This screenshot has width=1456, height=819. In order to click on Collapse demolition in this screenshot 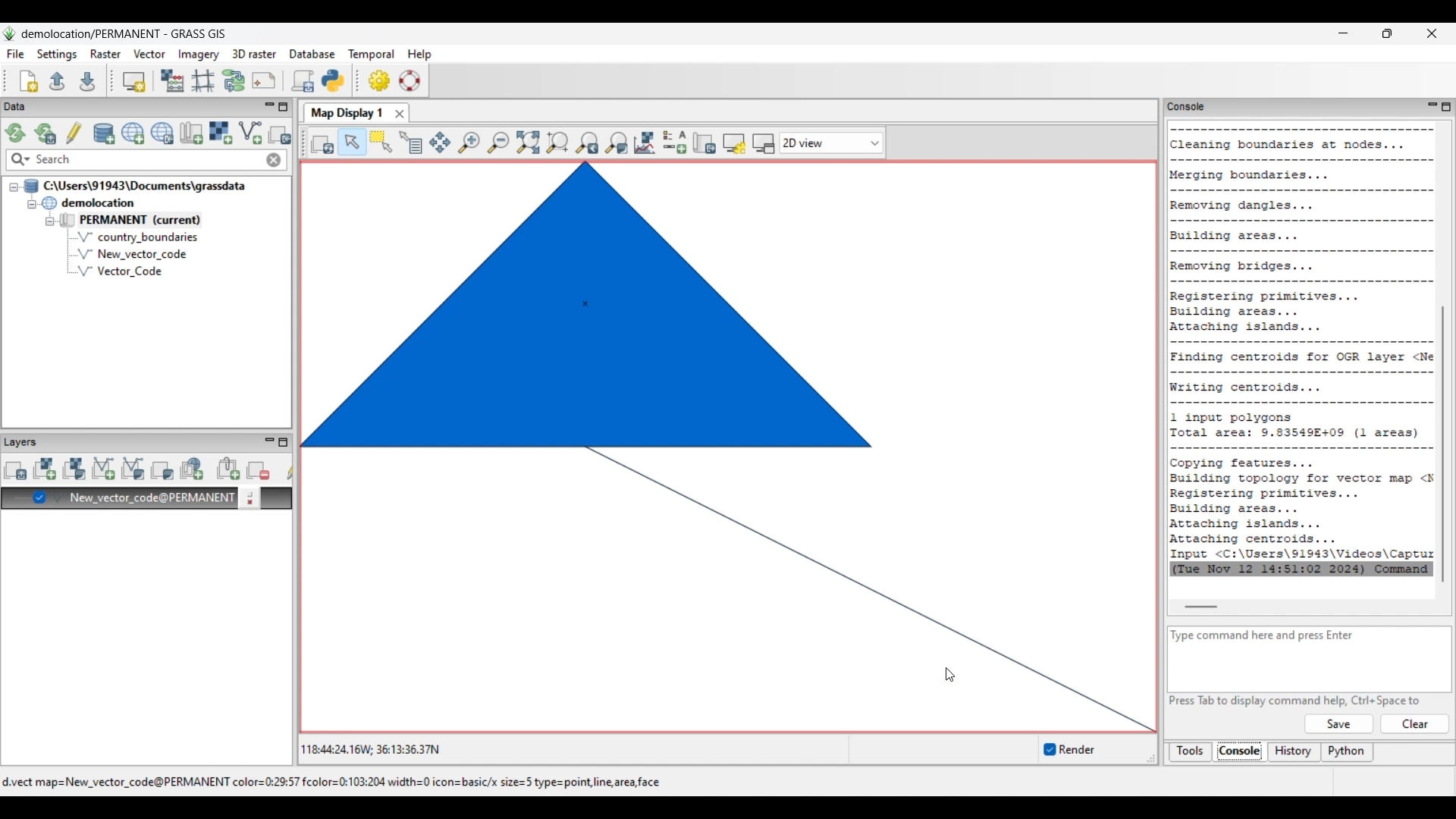, I will do `click(31, 205)`.